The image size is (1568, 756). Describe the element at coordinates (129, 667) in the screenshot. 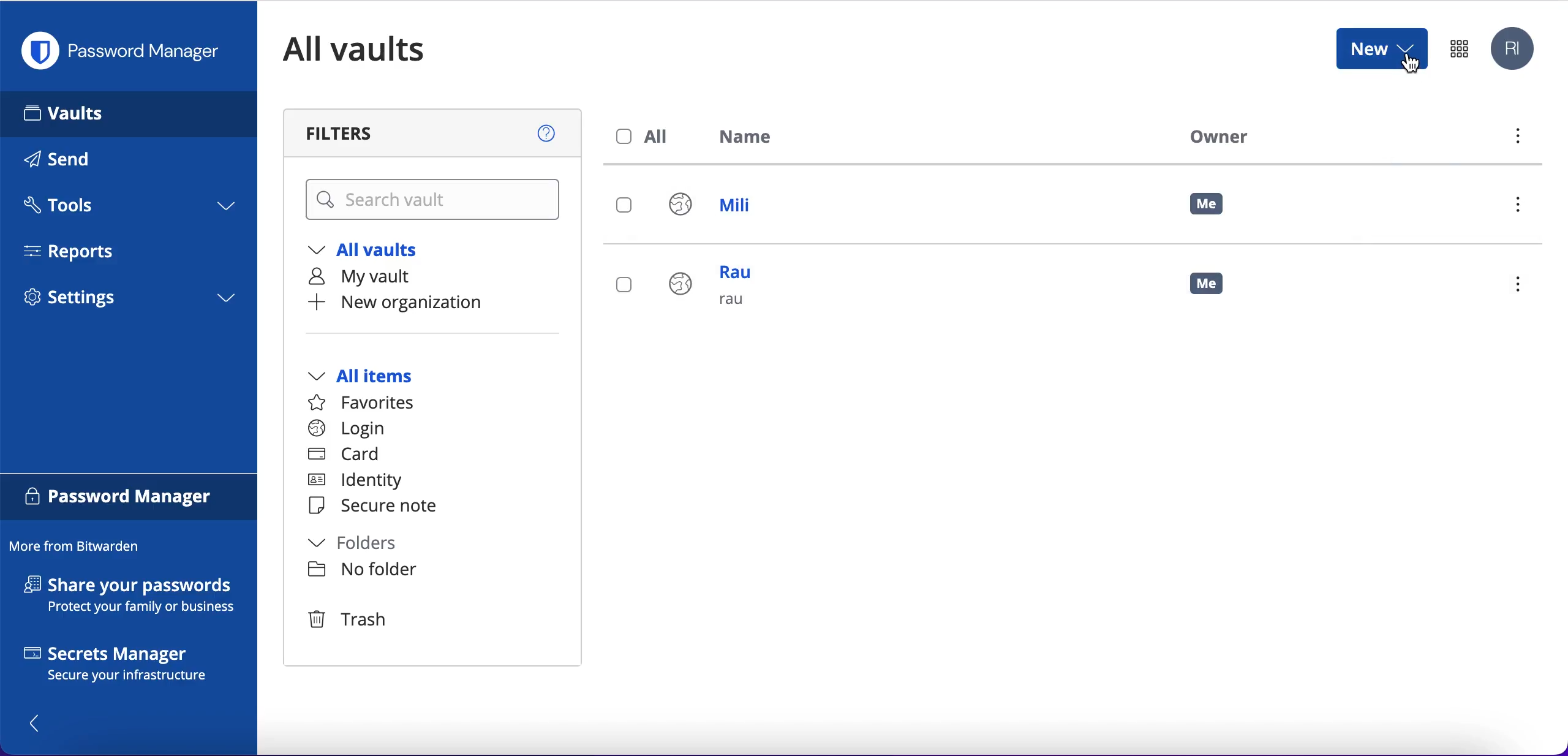

I see `secrets manager secure your infrastructure` at that location.